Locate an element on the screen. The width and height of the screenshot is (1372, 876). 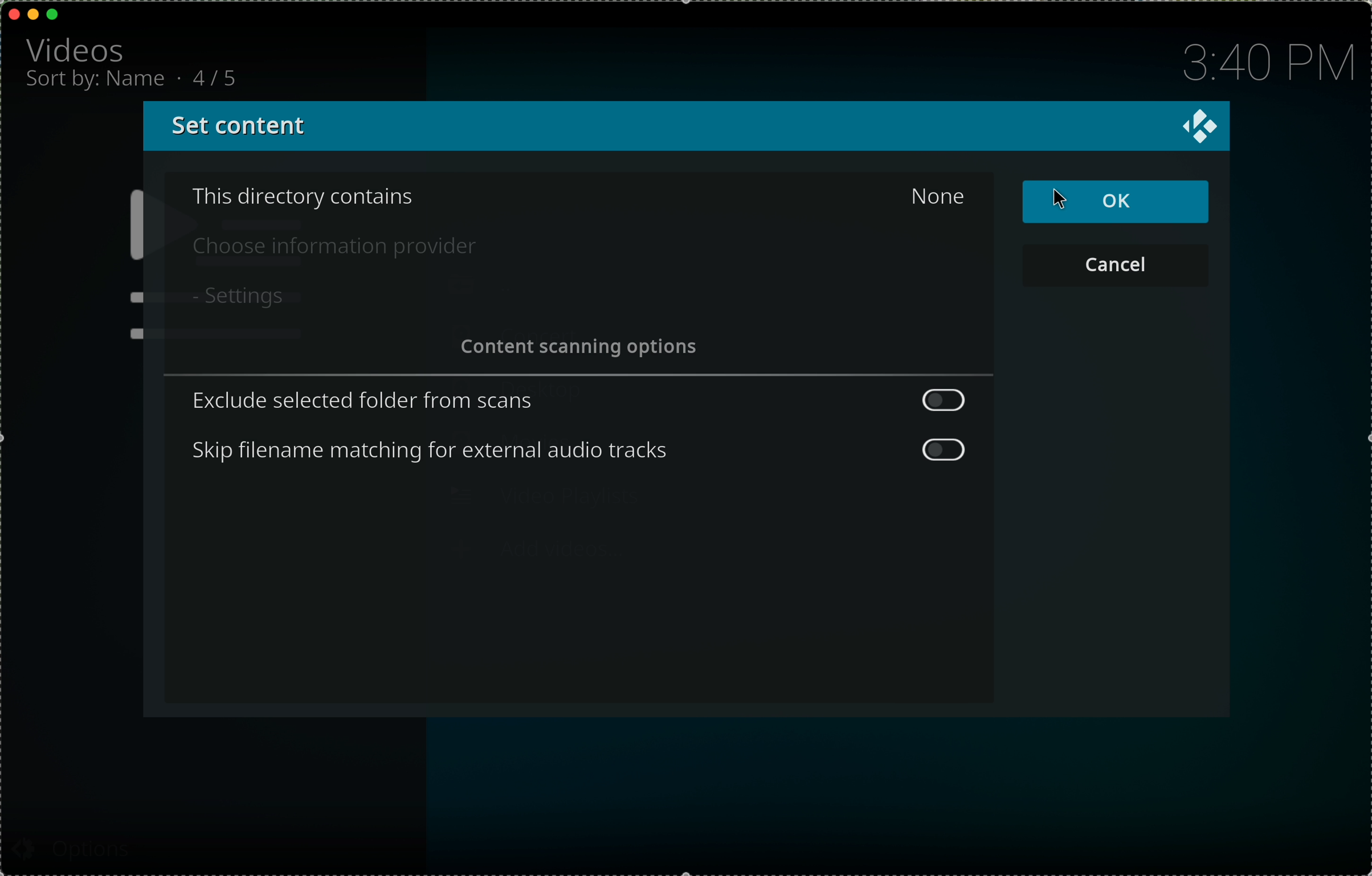
choose information provider is located at coordinates (338, 247).